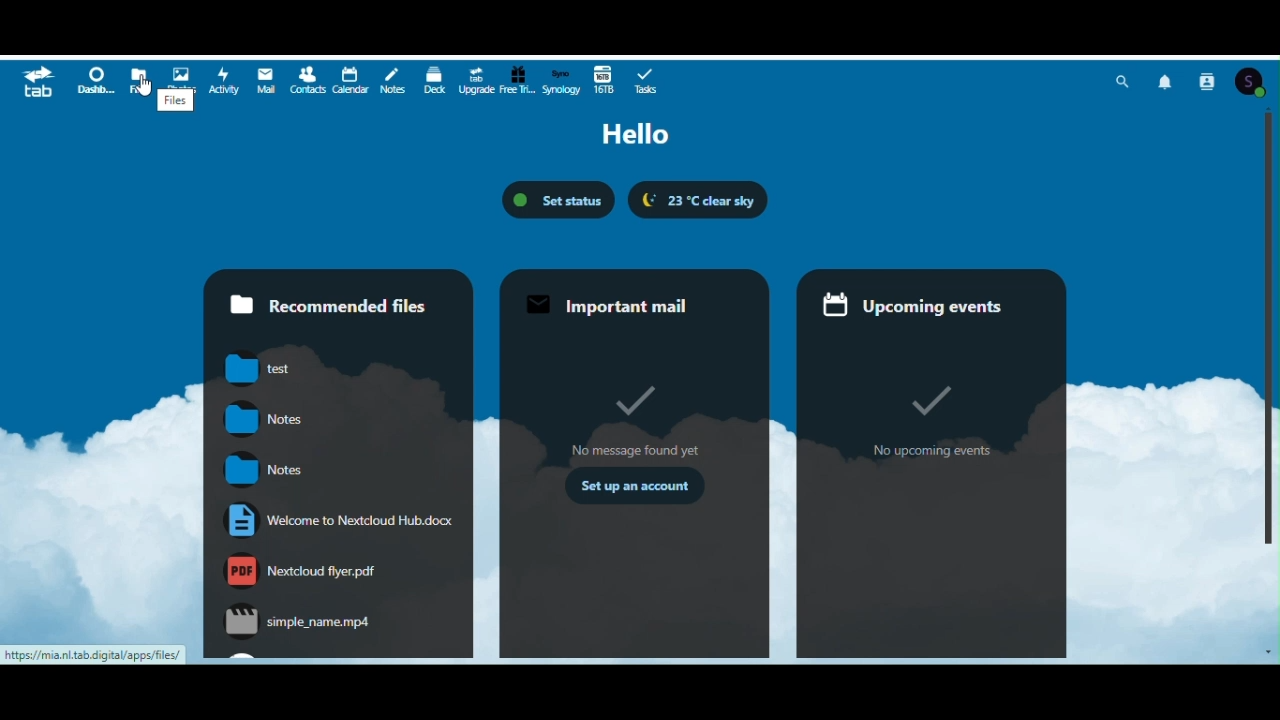  What do you see at coordinates (177, 100) in the screenshot?
I see `files` at bounding box center [177, 100].